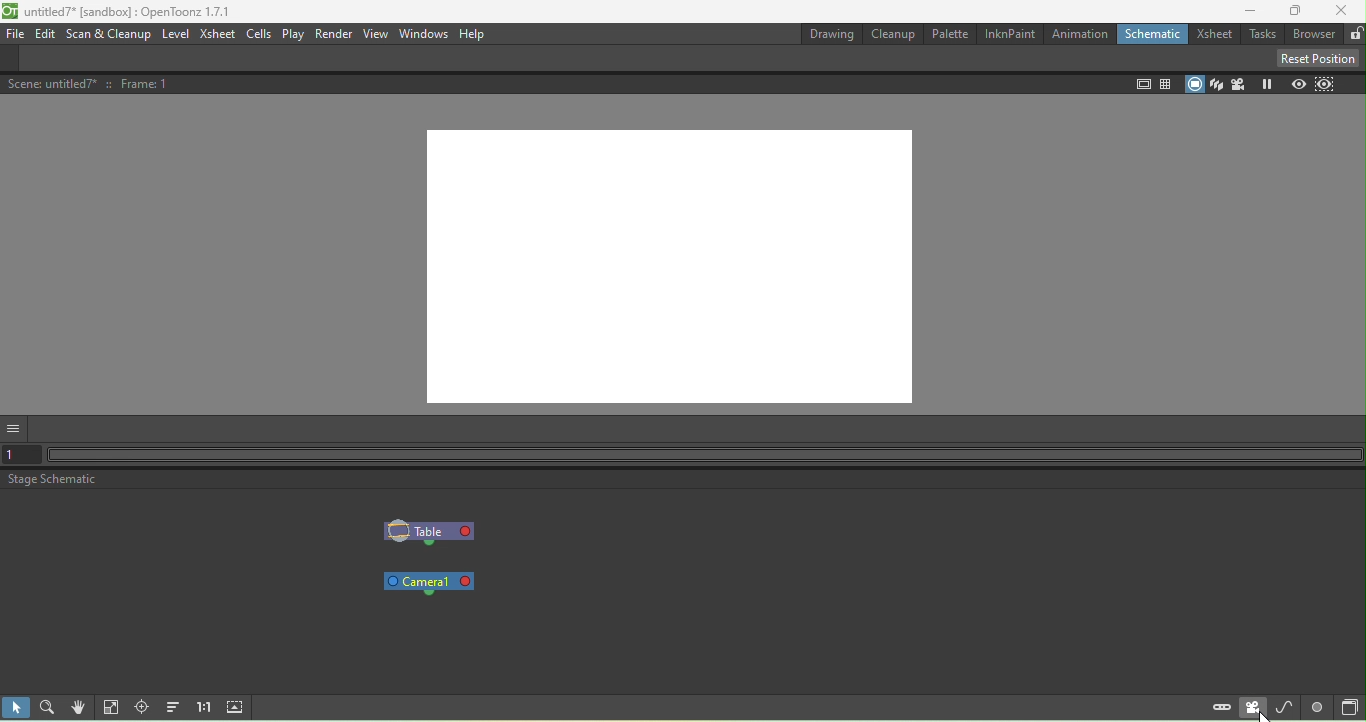 This screenshot has width=1366, height=722. I want to click on File, so click(17, 34).